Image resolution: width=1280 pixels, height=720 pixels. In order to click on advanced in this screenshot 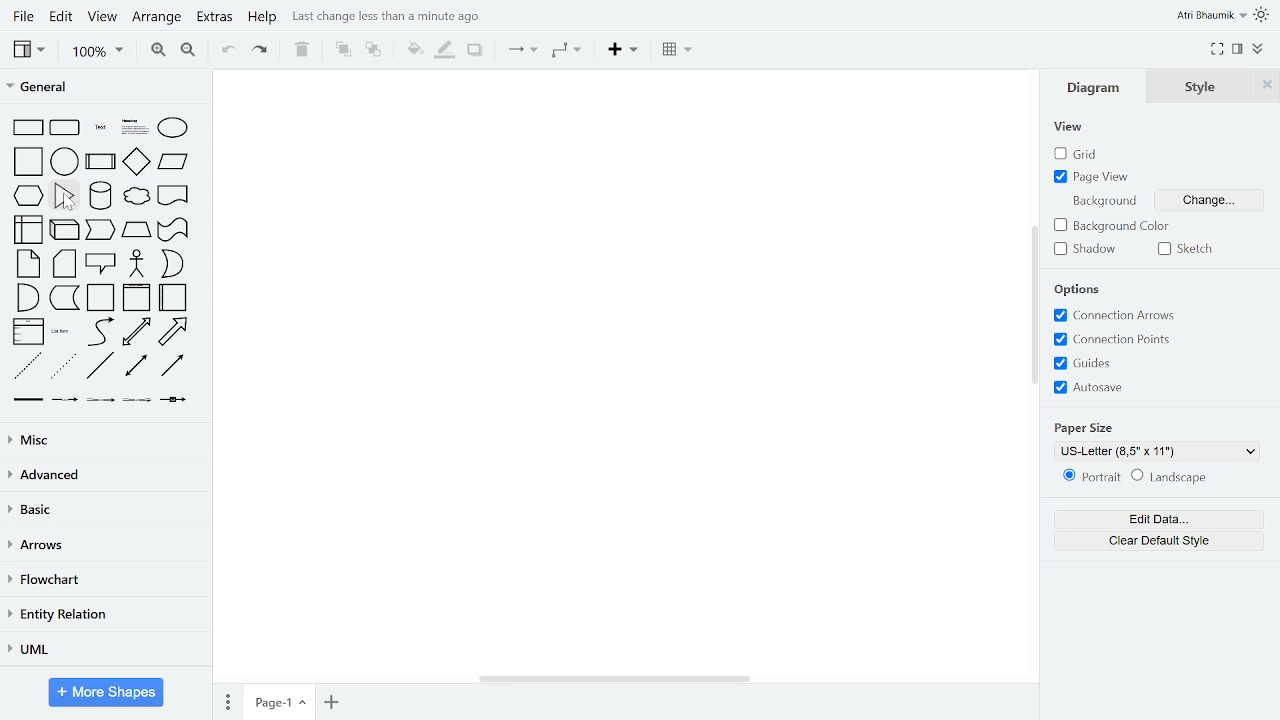, I will do `click(103, 477)`.